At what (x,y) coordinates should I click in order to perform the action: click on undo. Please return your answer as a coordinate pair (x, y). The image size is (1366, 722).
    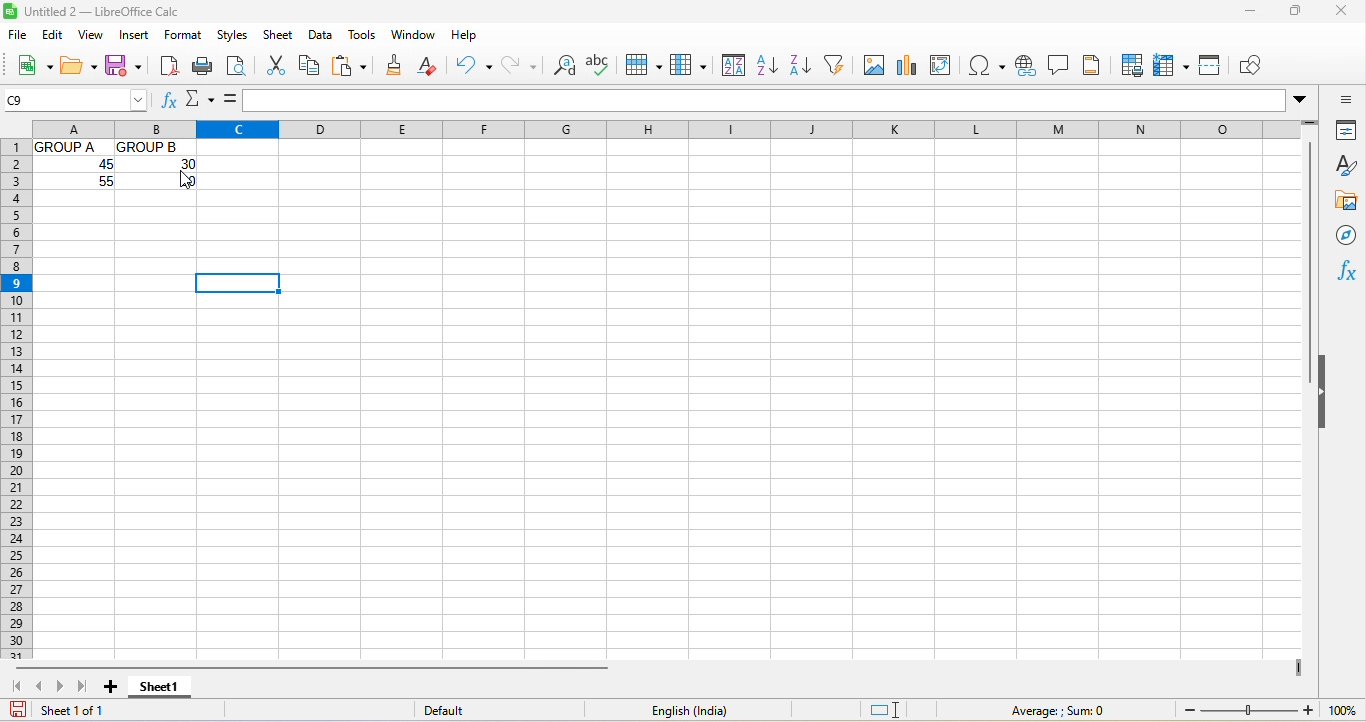
    Looking at the image, I should click on (478, 65).